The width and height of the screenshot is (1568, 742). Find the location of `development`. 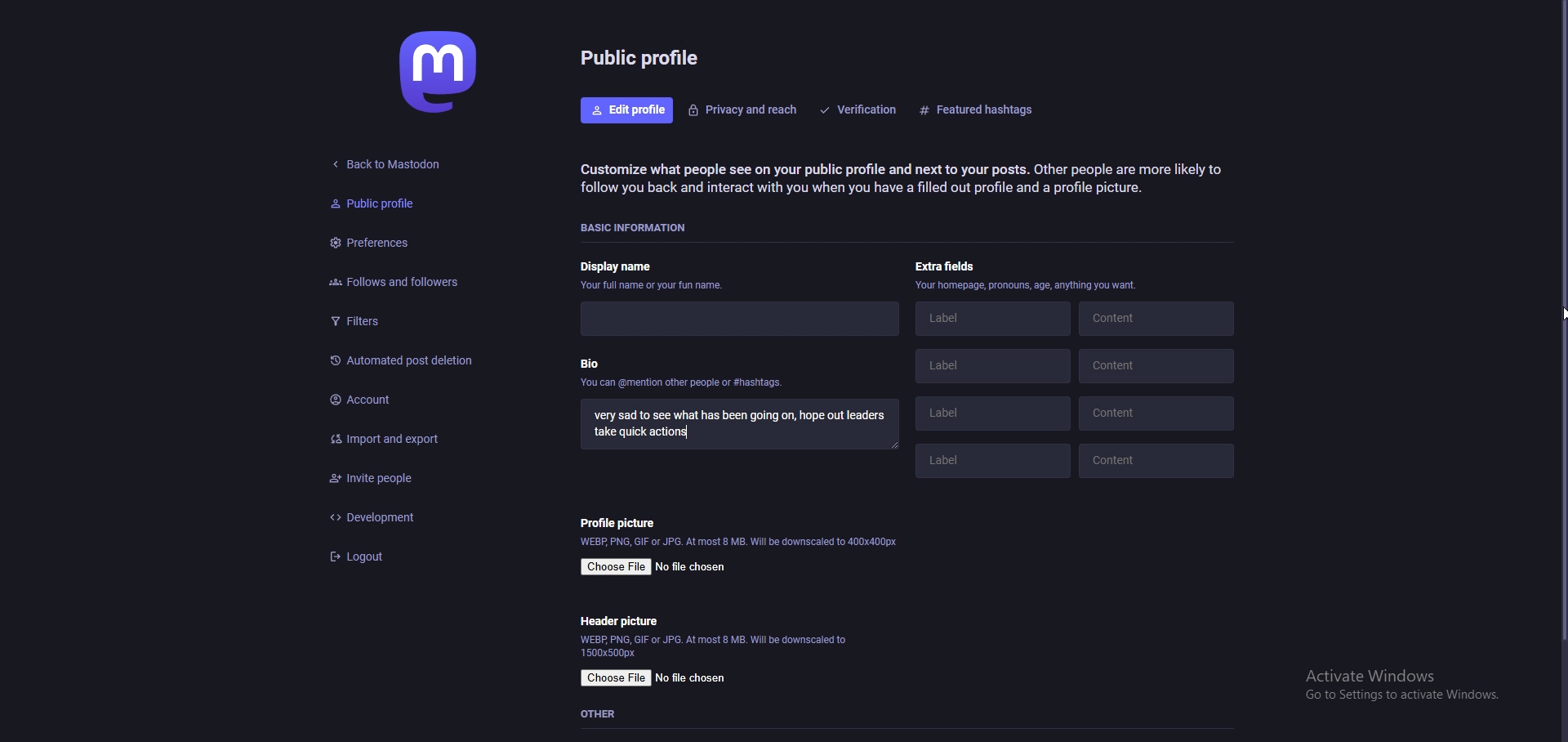

development is located at coordinates (406, 516).